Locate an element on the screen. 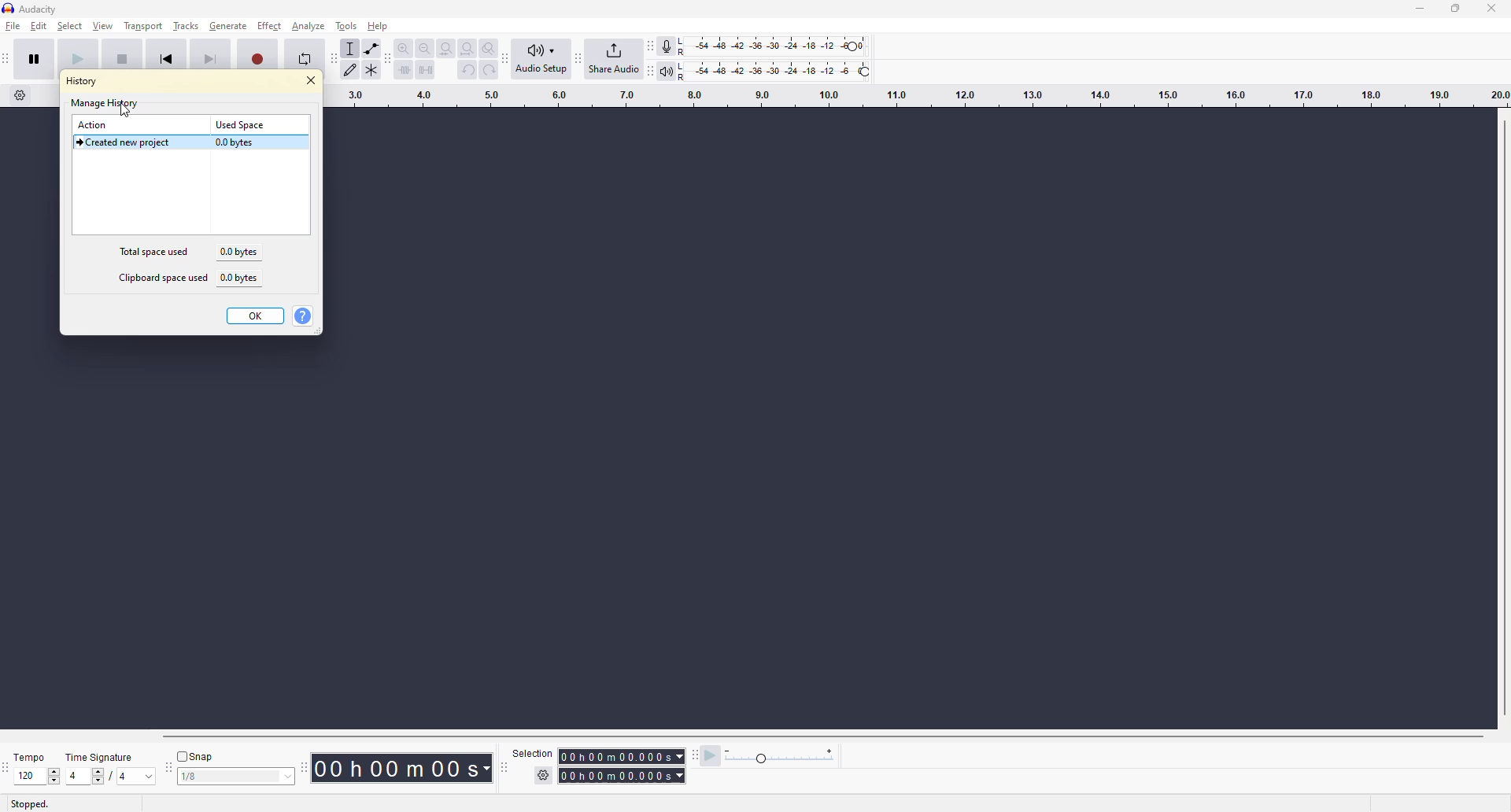 This screenshot has width=1511, height=812. audacity is located at coordinates (35, 9).